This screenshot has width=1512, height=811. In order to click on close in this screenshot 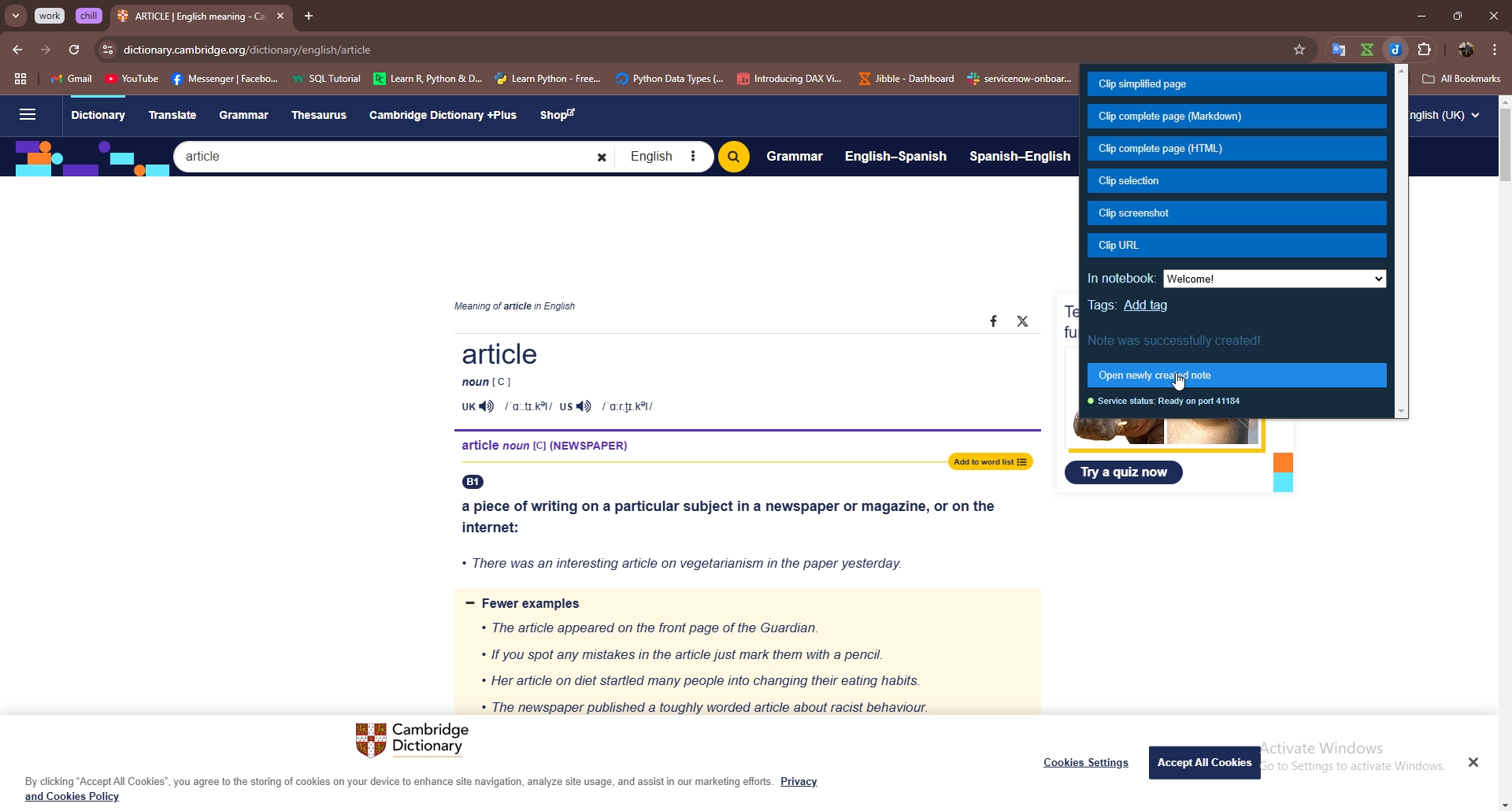, I will do `click(1493, 15)`.